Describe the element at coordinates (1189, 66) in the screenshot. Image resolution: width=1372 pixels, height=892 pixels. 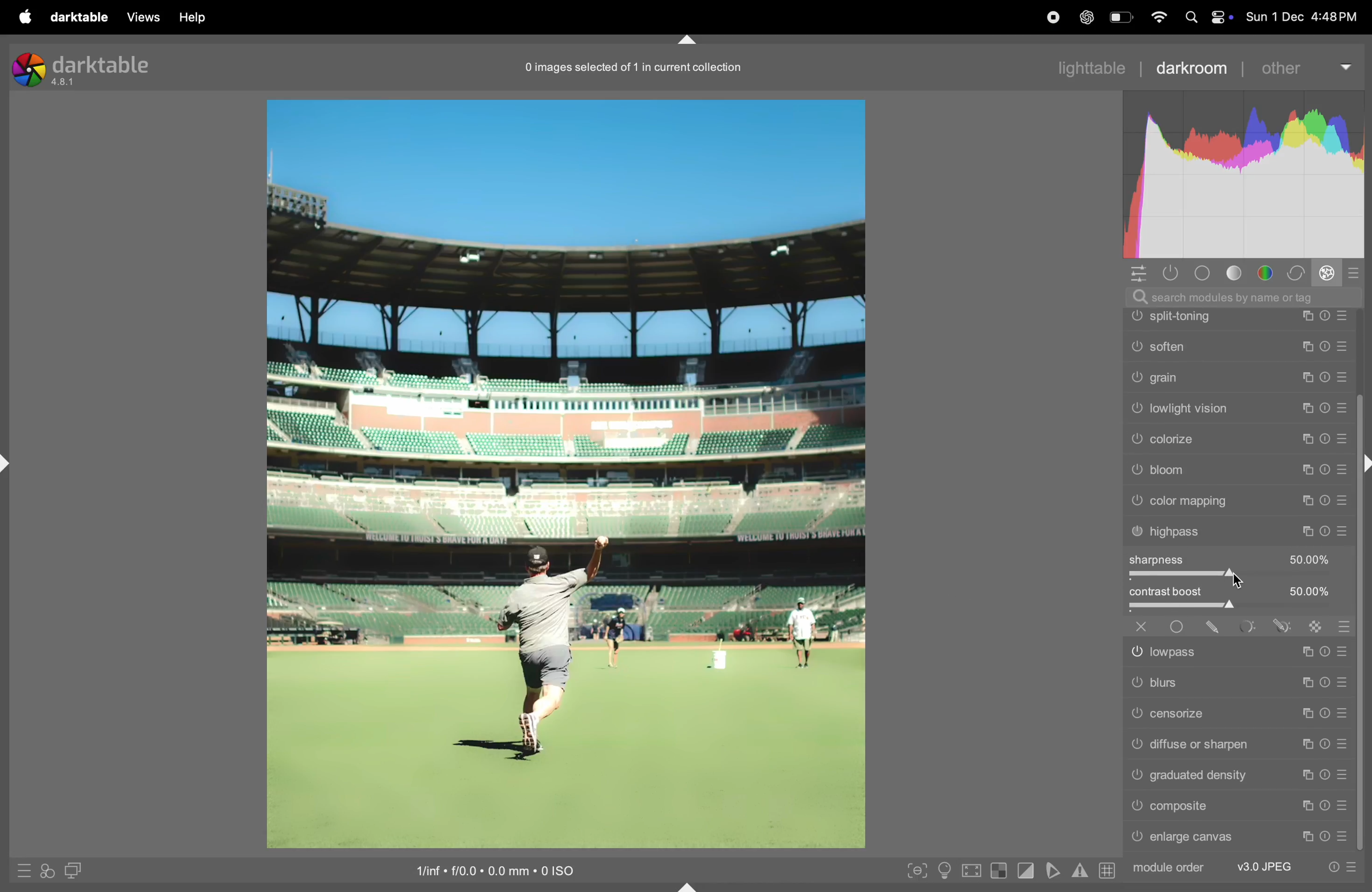
I see `darkroom` at that location.